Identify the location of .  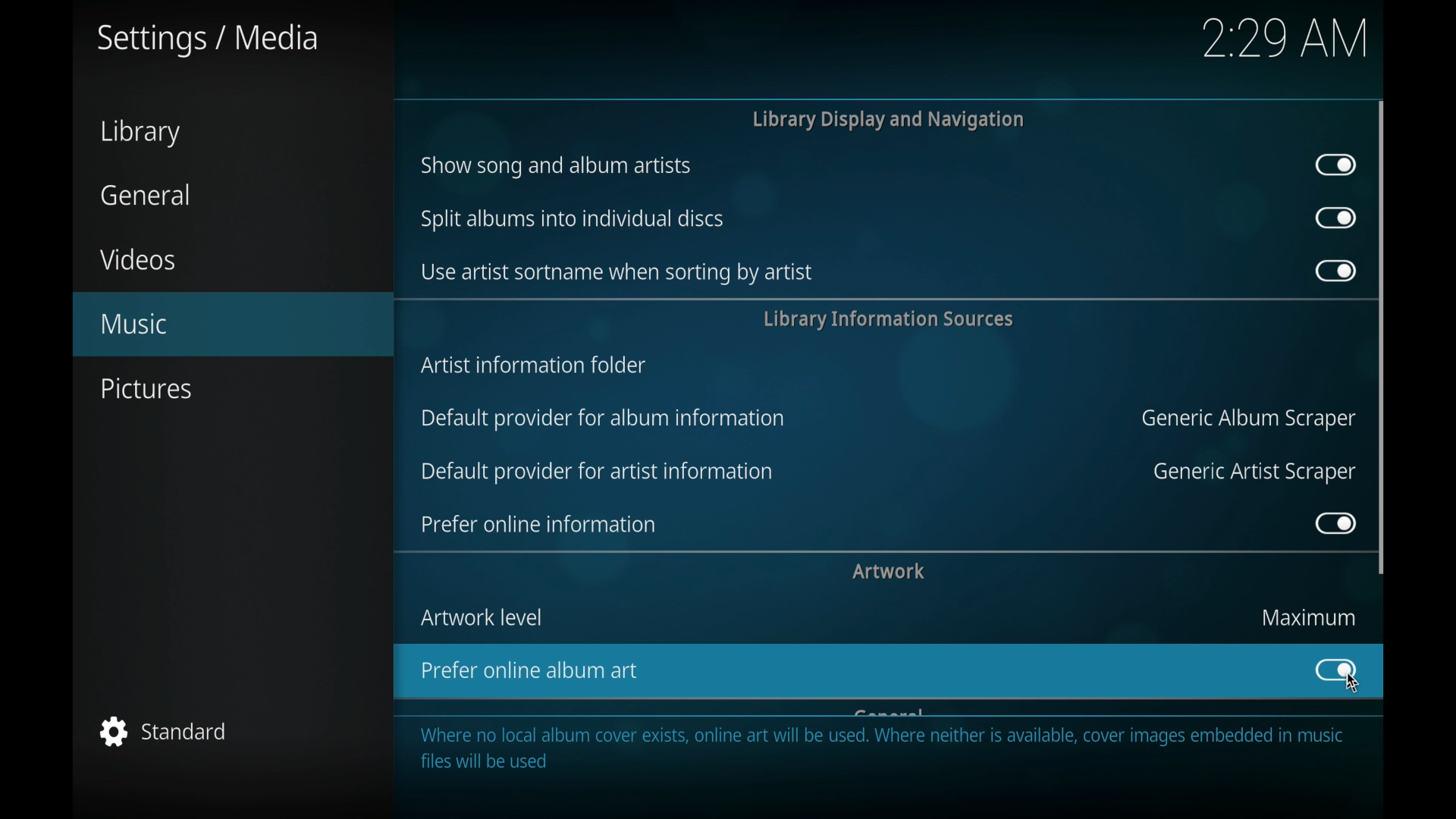
(1285, 46).